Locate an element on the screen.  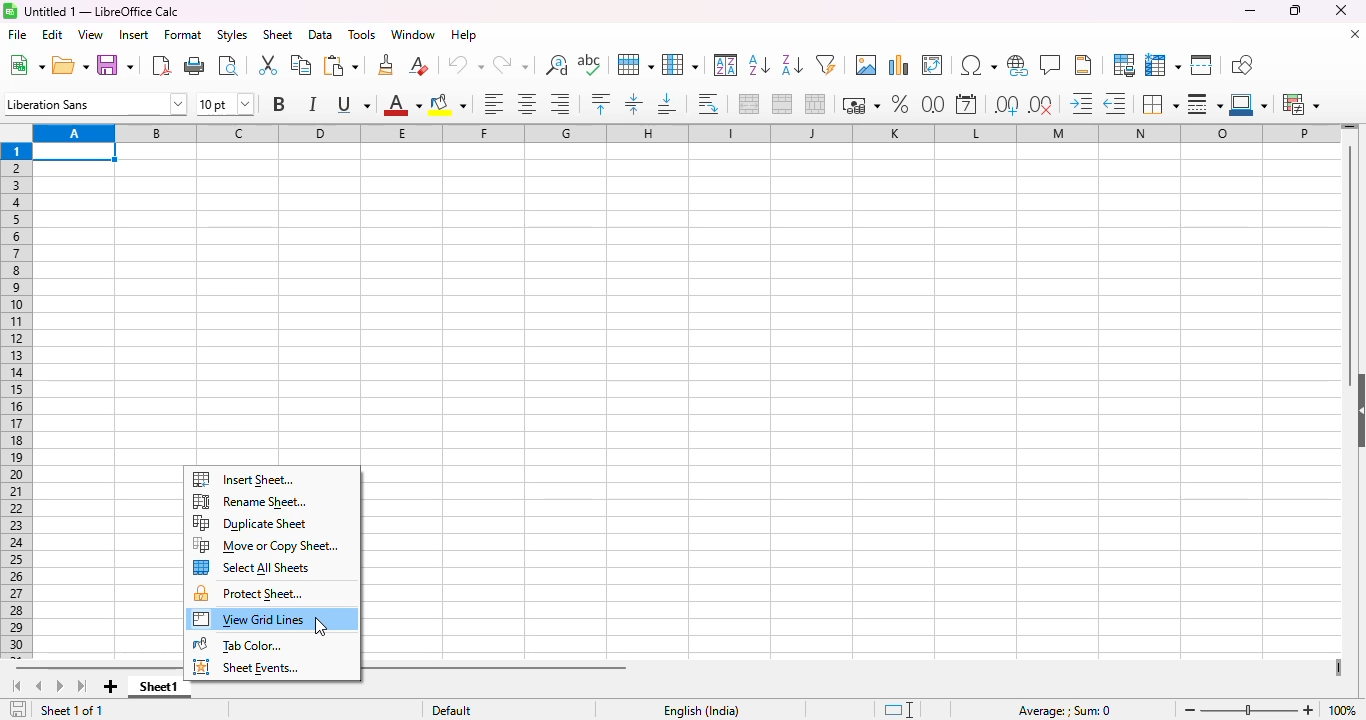
italic is located at coordinates (312, 103).